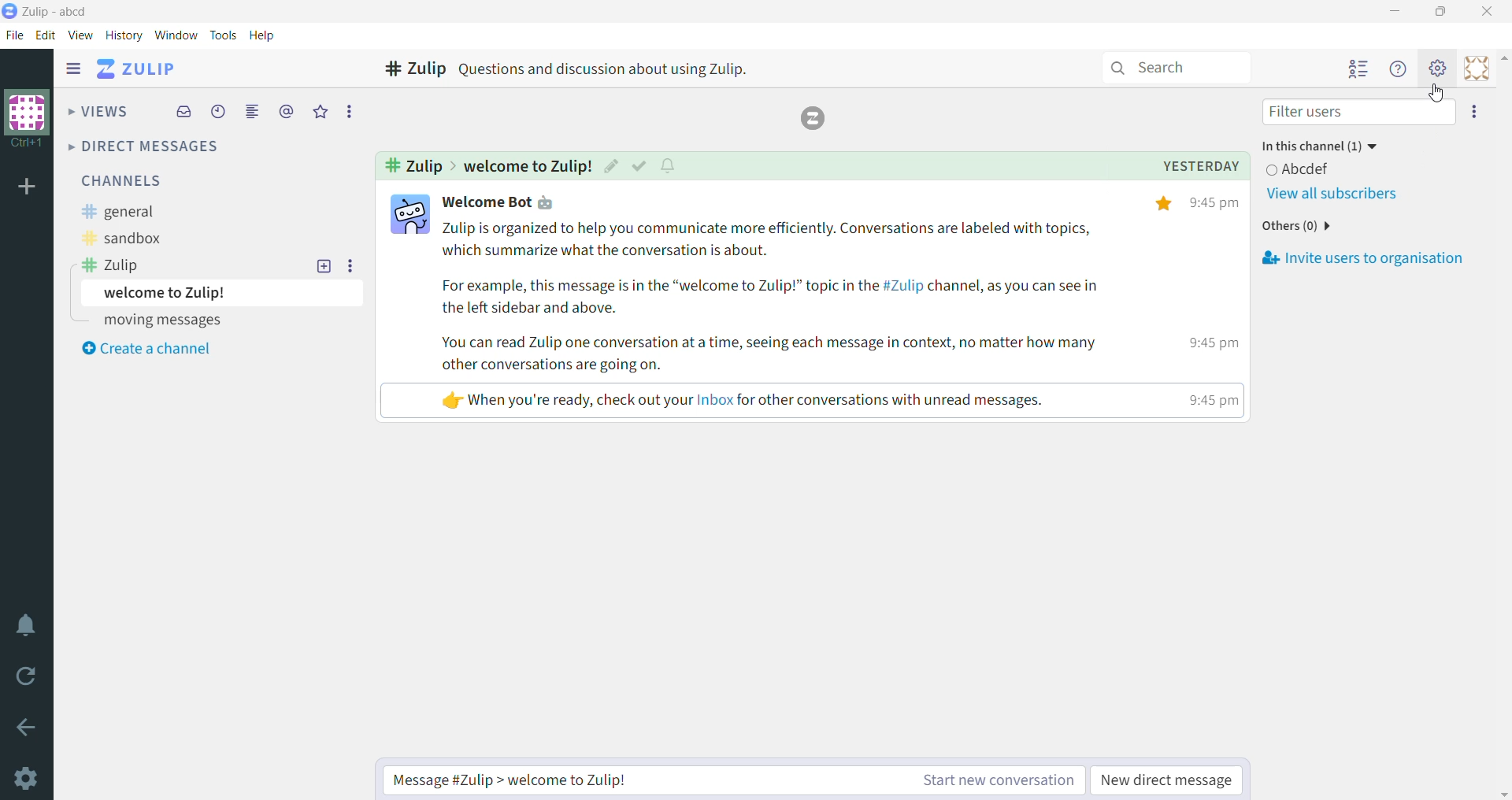 This screenshot has width=1512, height=800. What do you see at coordinates (1503, 424) in the screenshot?
I see `Vertical Scroll Bar` at bounding box center [1503, 424].